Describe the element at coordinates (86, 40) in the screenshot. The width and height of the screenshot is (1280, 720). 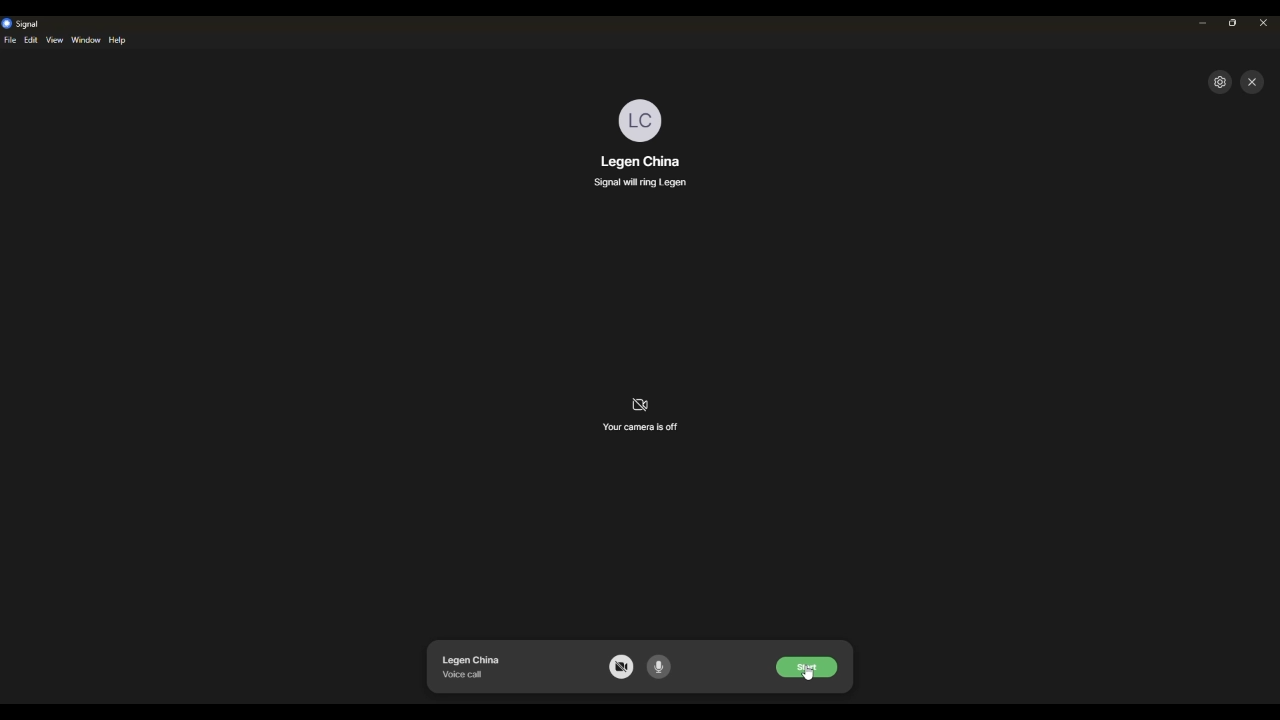
I see `windows` at that location.